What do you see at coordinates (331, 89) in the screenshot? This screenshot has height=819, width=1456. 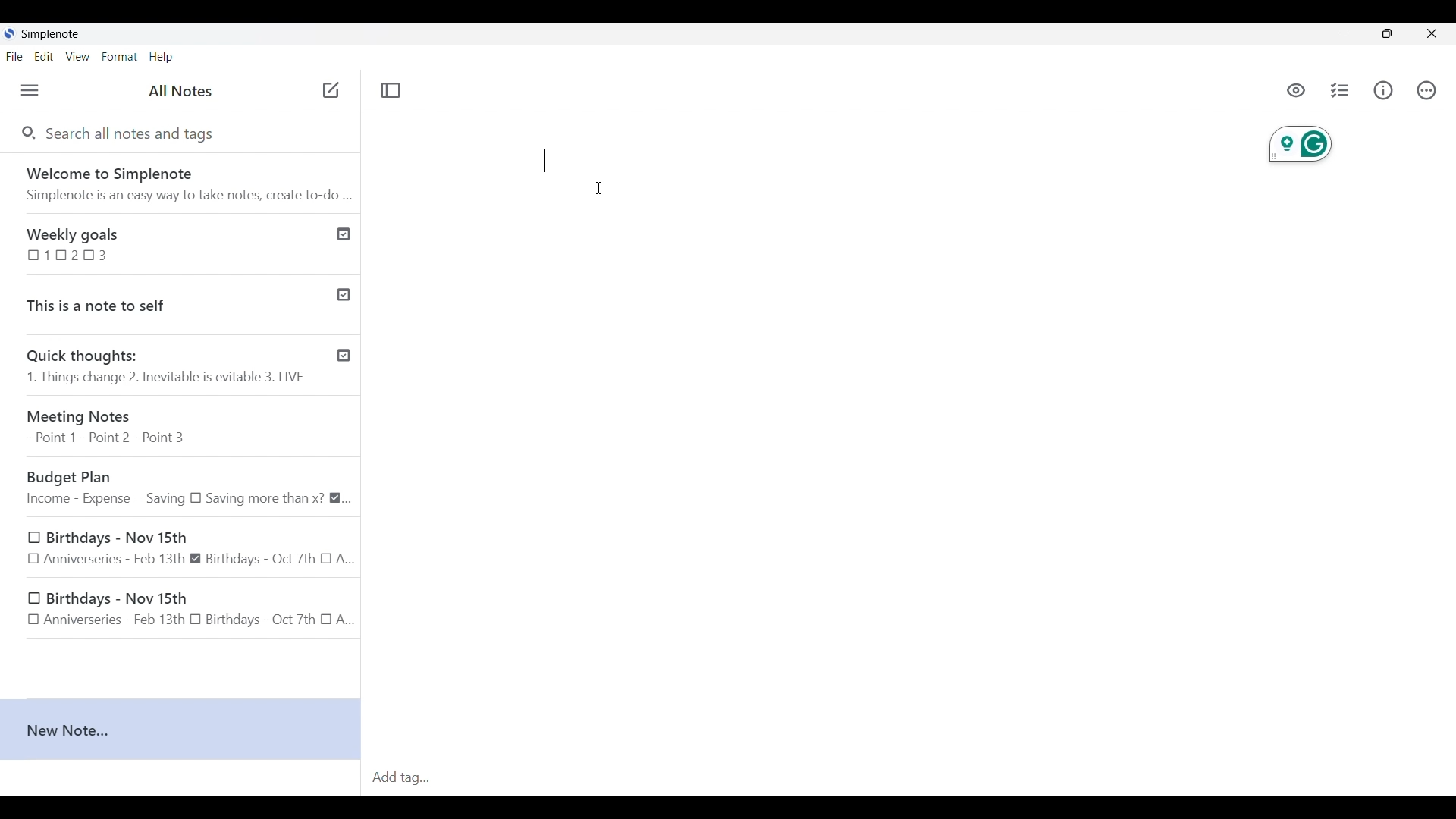 I see `Add new note` at bounding box center [331, 89].